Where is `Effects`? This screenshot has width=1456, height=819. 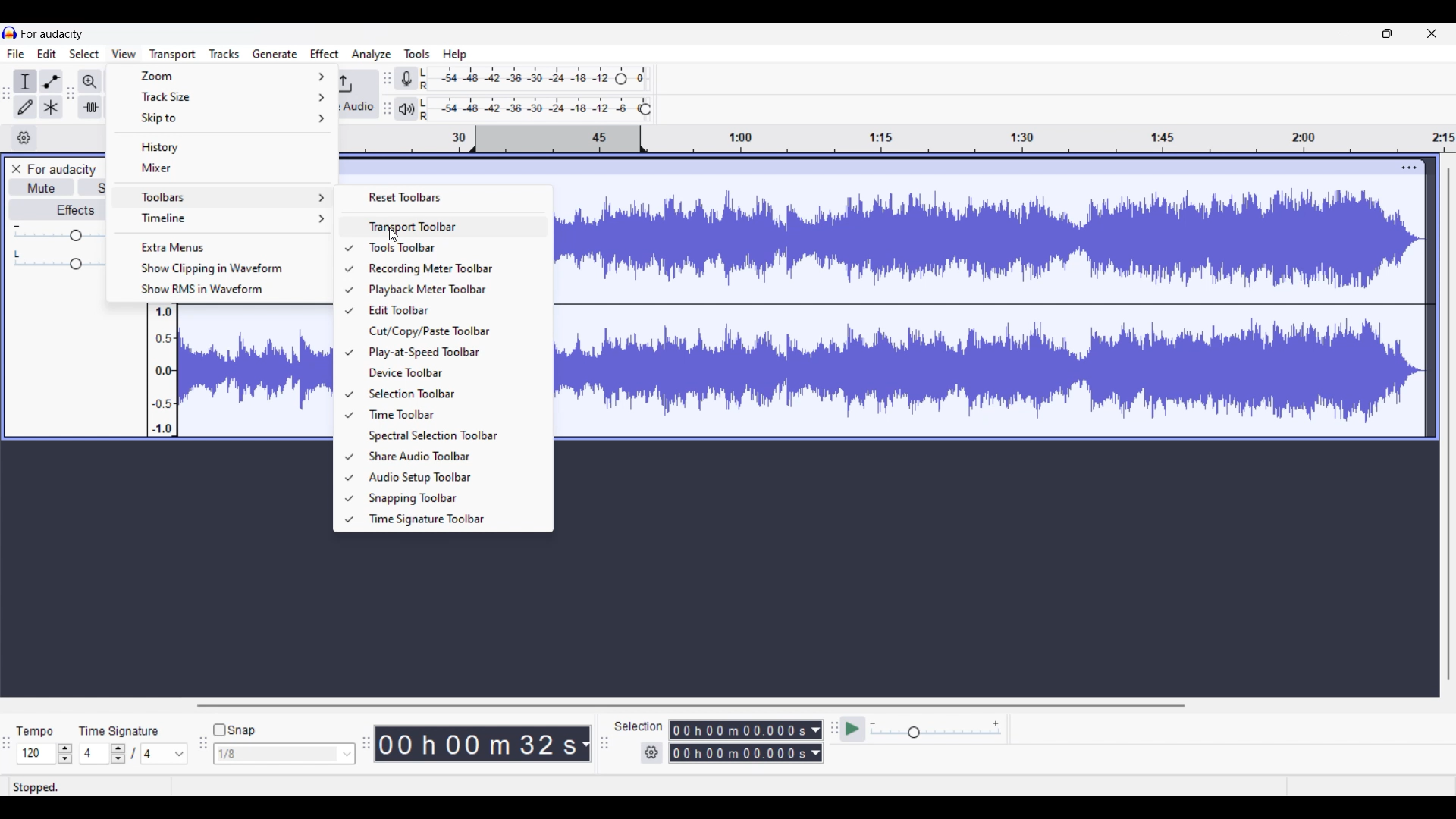
Effects is located at coordinates (58, 209).